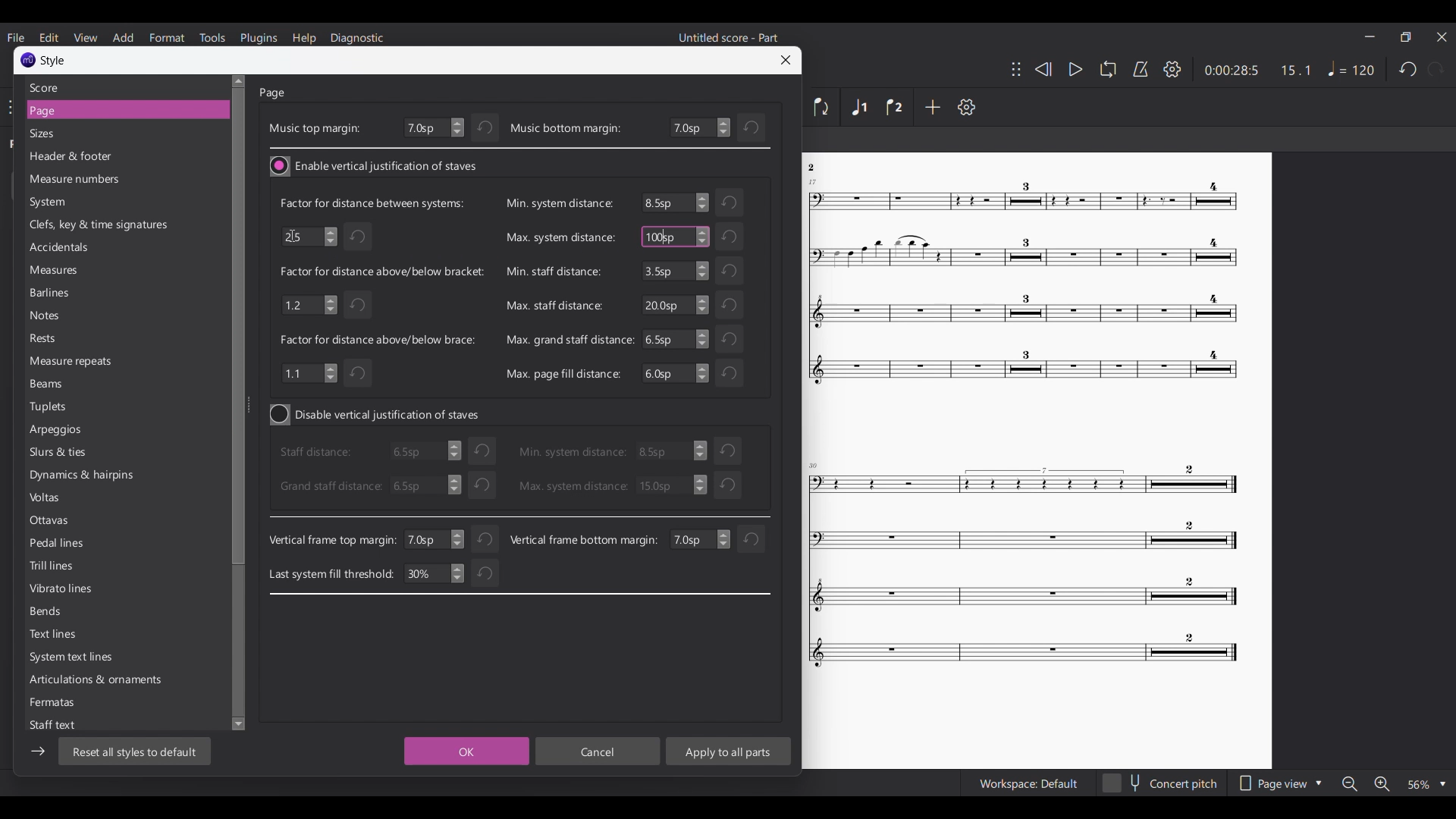 The width and height of the screenshot is (1456, 819). Describe the element at coordinates (895, 107) in the screenshot. I see `Voice 2` at that location.